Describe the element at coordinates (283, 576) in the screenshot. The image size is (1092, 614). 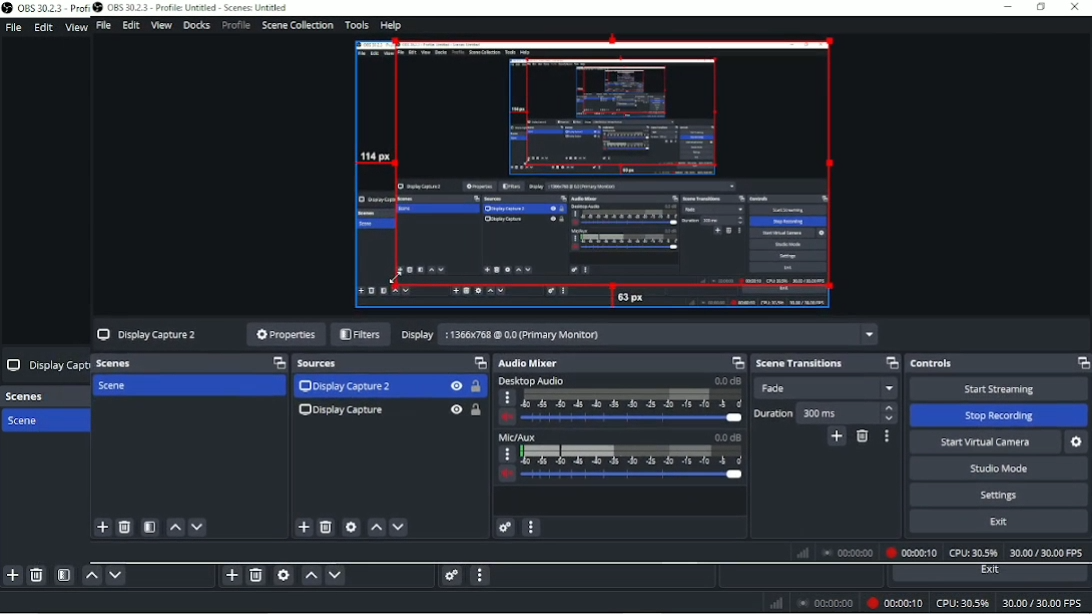
I see `Open source properties` at that location.